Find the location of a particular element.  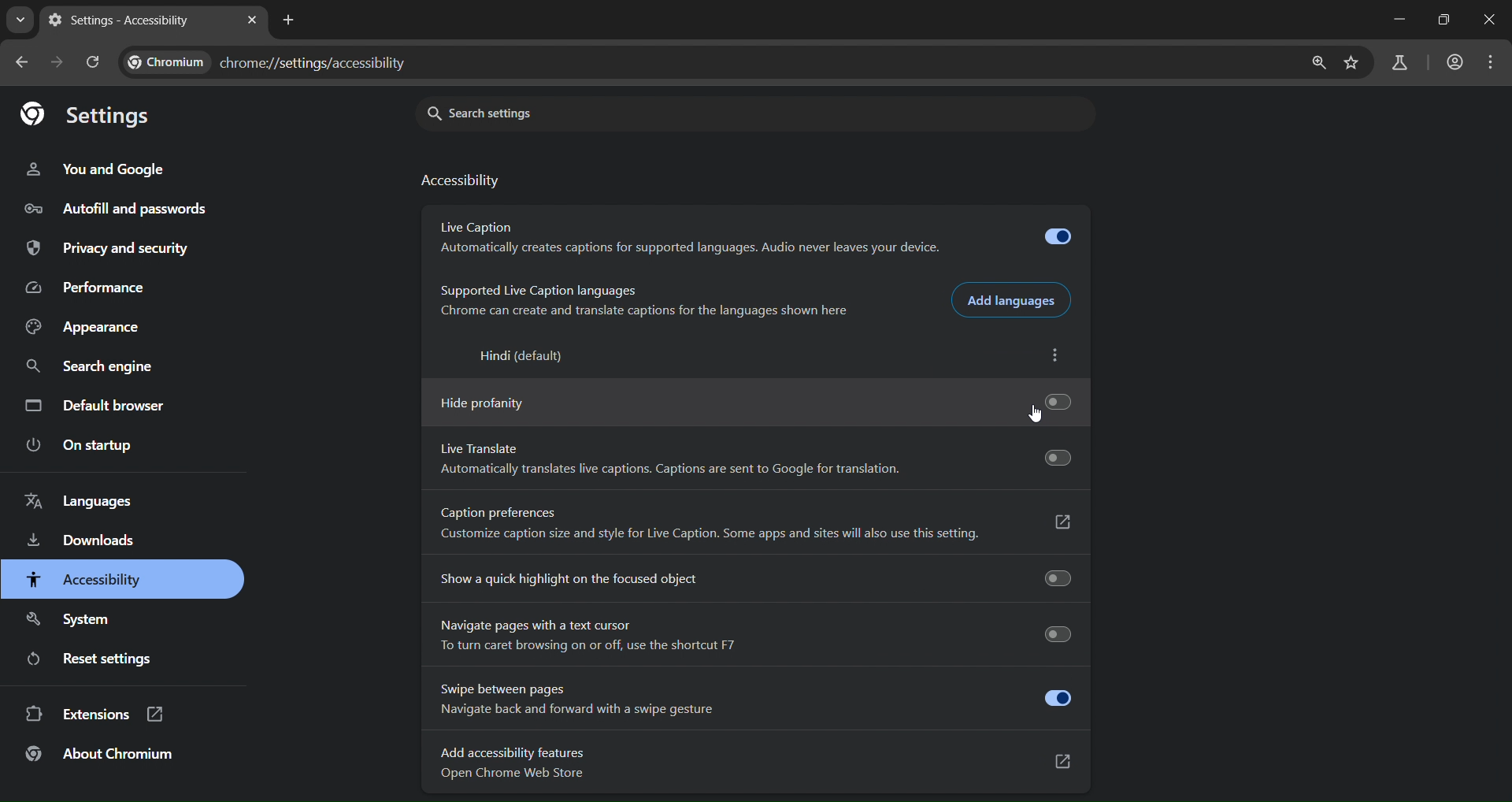

Hindi (default) is located at coordinates (514, 356).